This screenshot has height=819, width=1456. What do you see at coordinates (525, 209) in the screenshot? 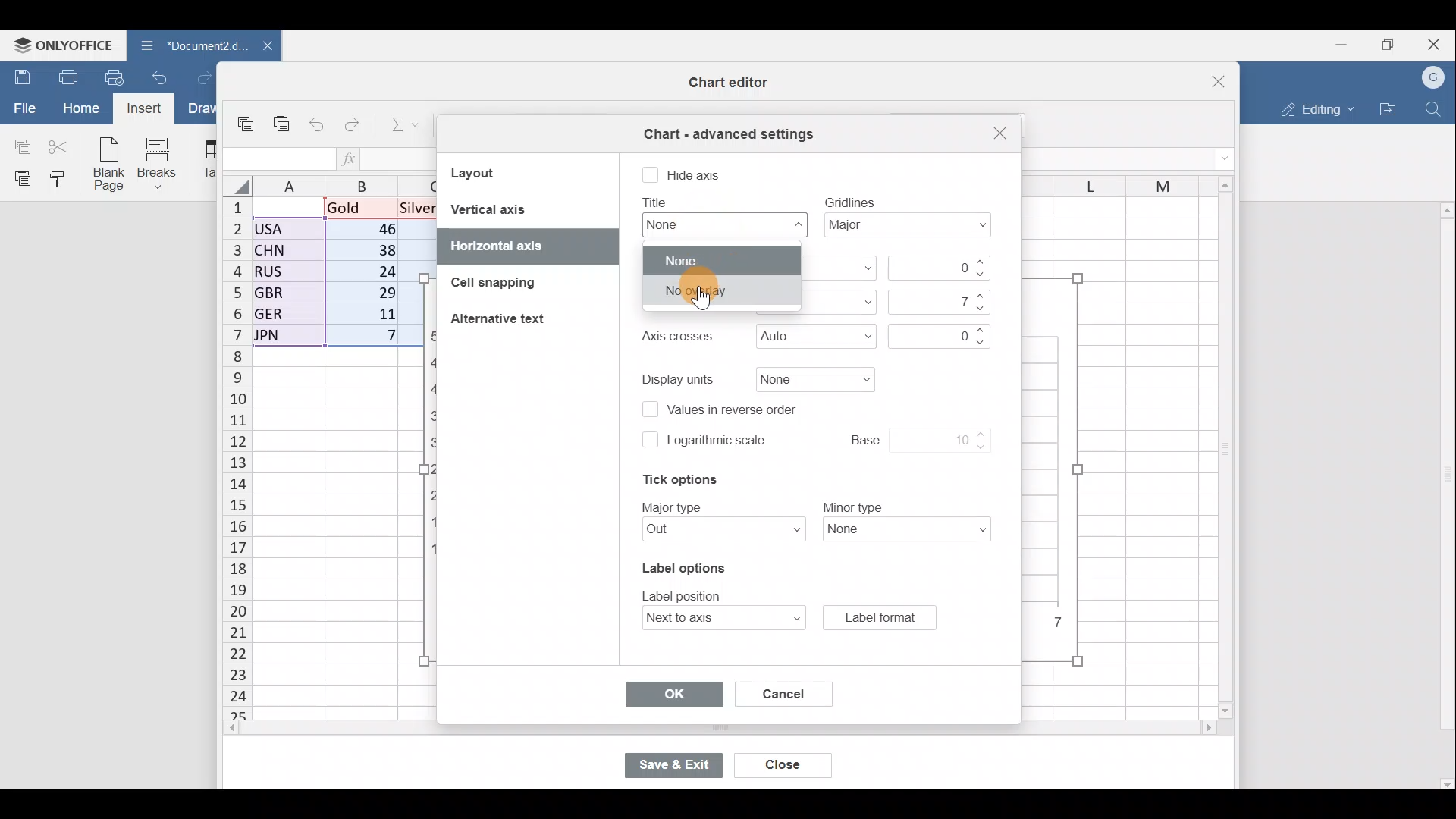
I see `Vertical axis` at bounding box center [525, 209].